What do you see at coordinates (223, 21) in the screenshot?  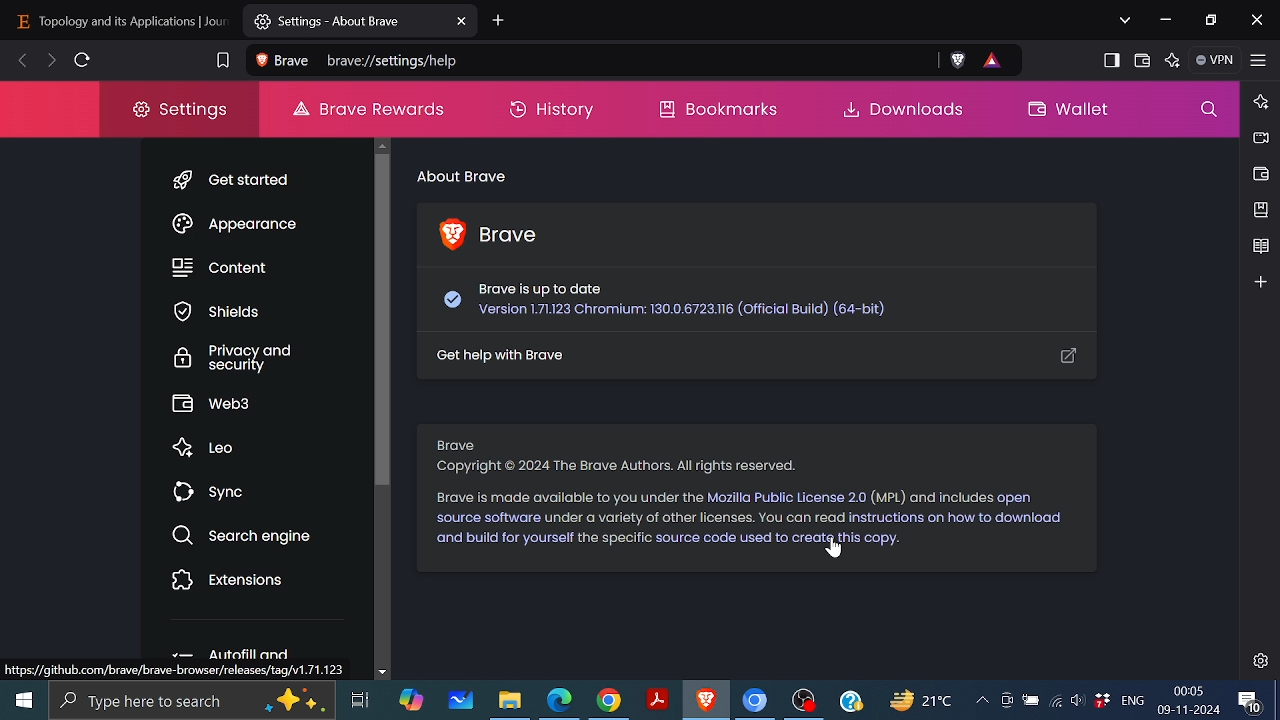 I see `Close window` at bounding box center [223, 21].